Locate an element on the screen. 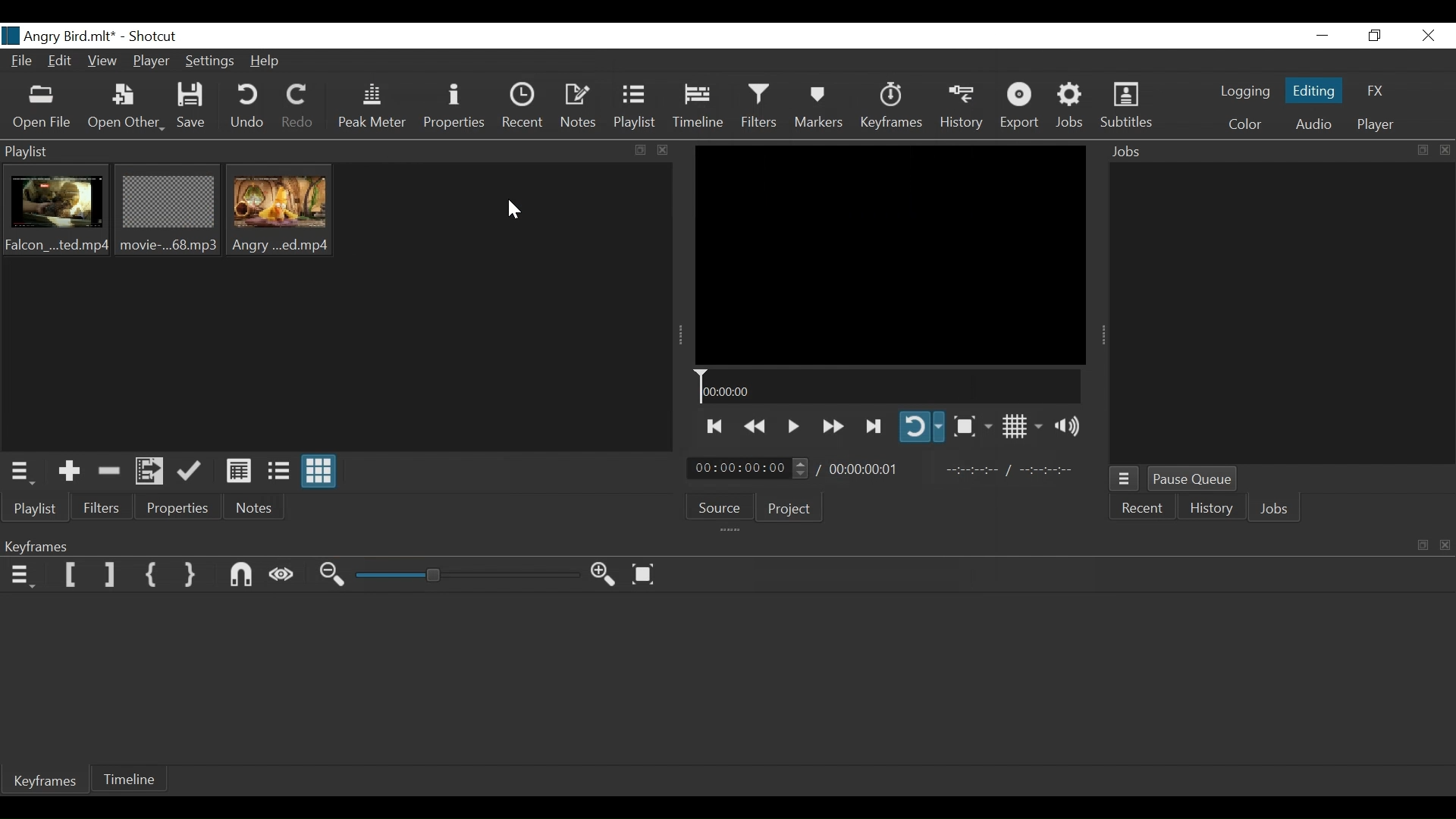 The width and height of the screenshot is (1456, 819). Audio is located at coordinates (1313, 123).